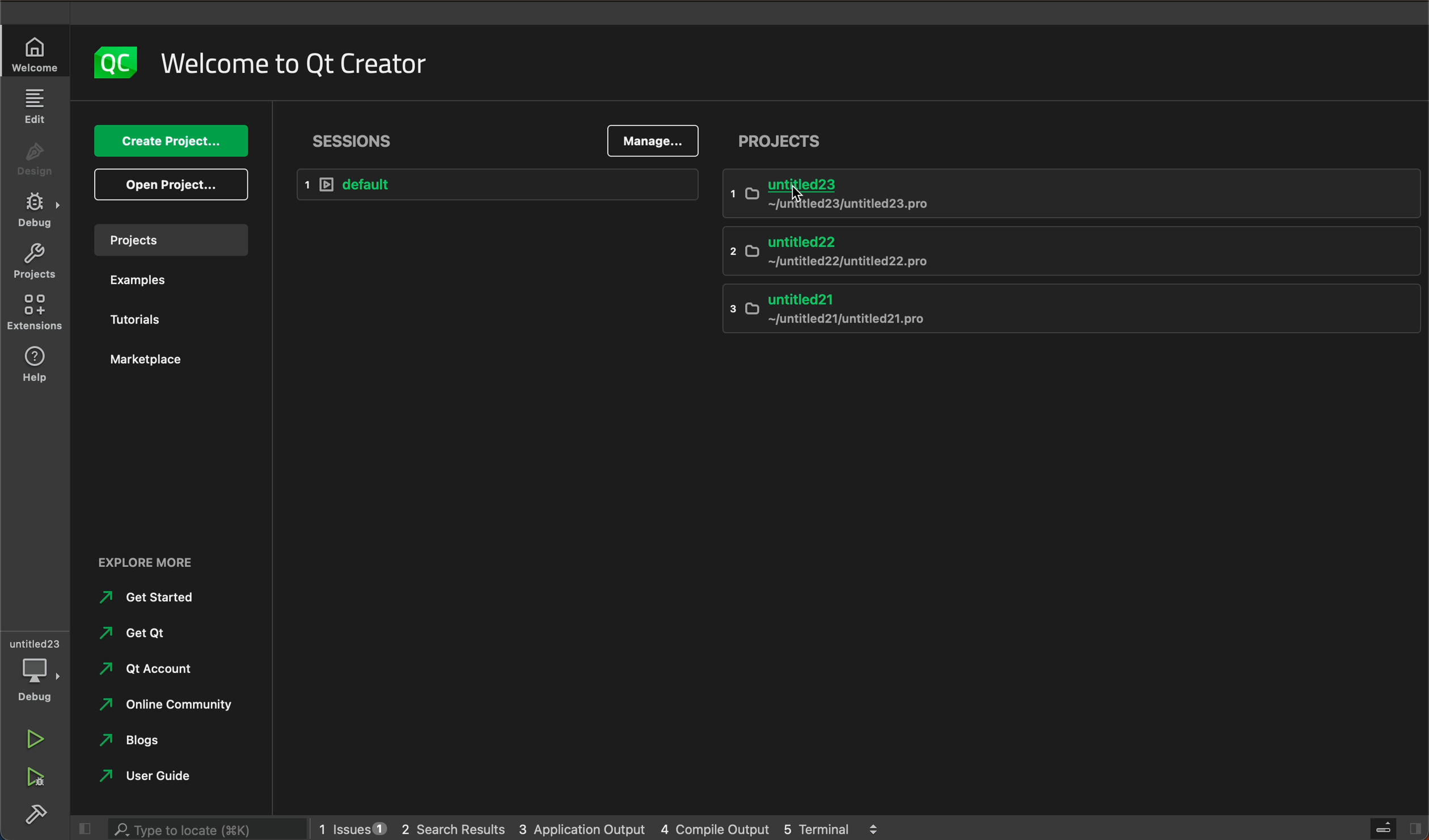 The height and width of the screenshot is (840, 1429). What do you see at coordinates (364, 138) in the screenshot?
I see `sessions` at bounding box center [364, 138].